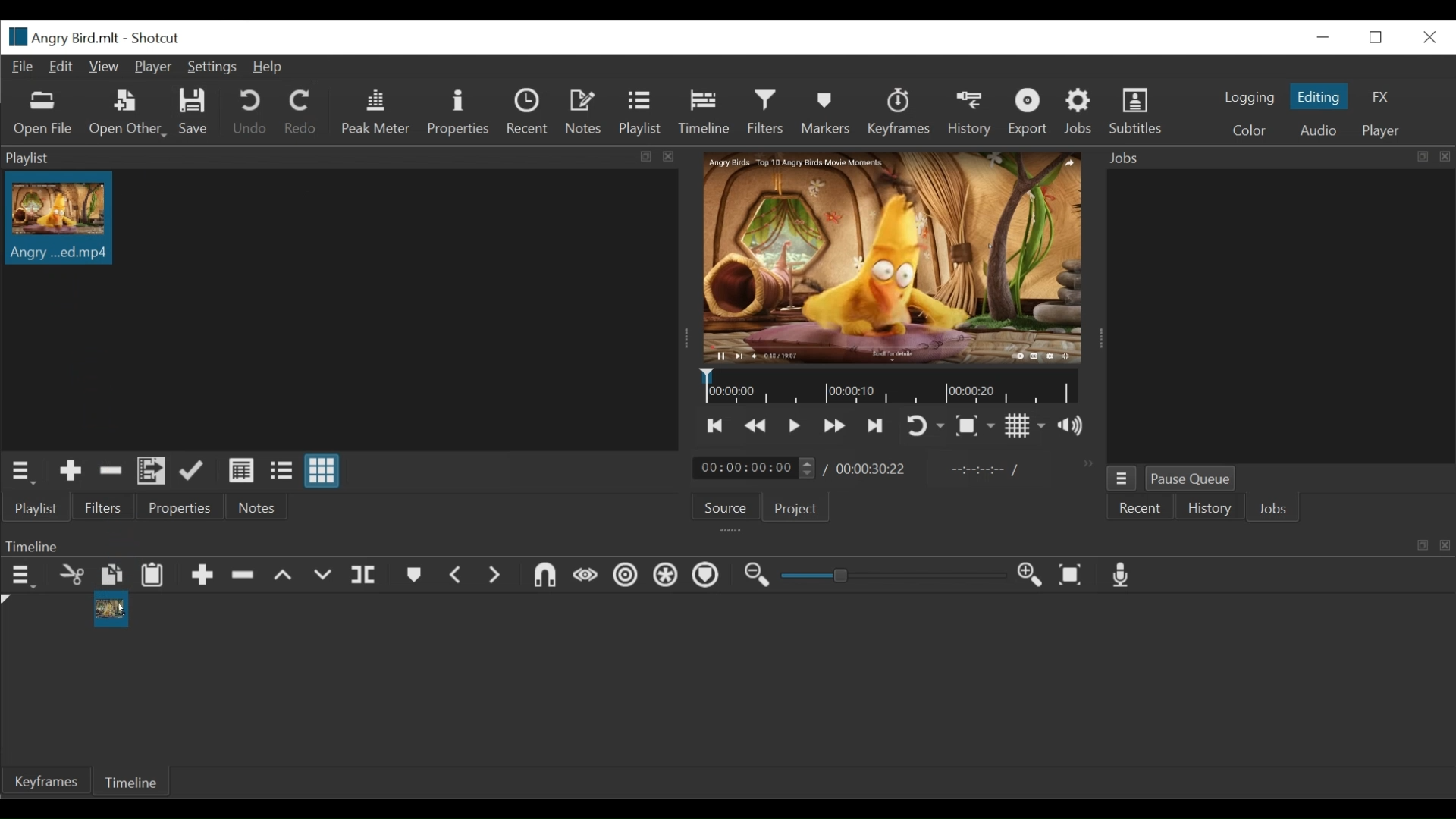  Describe the element at coordinates (463, 114) in the screenshot. I see `Properties` at that location.